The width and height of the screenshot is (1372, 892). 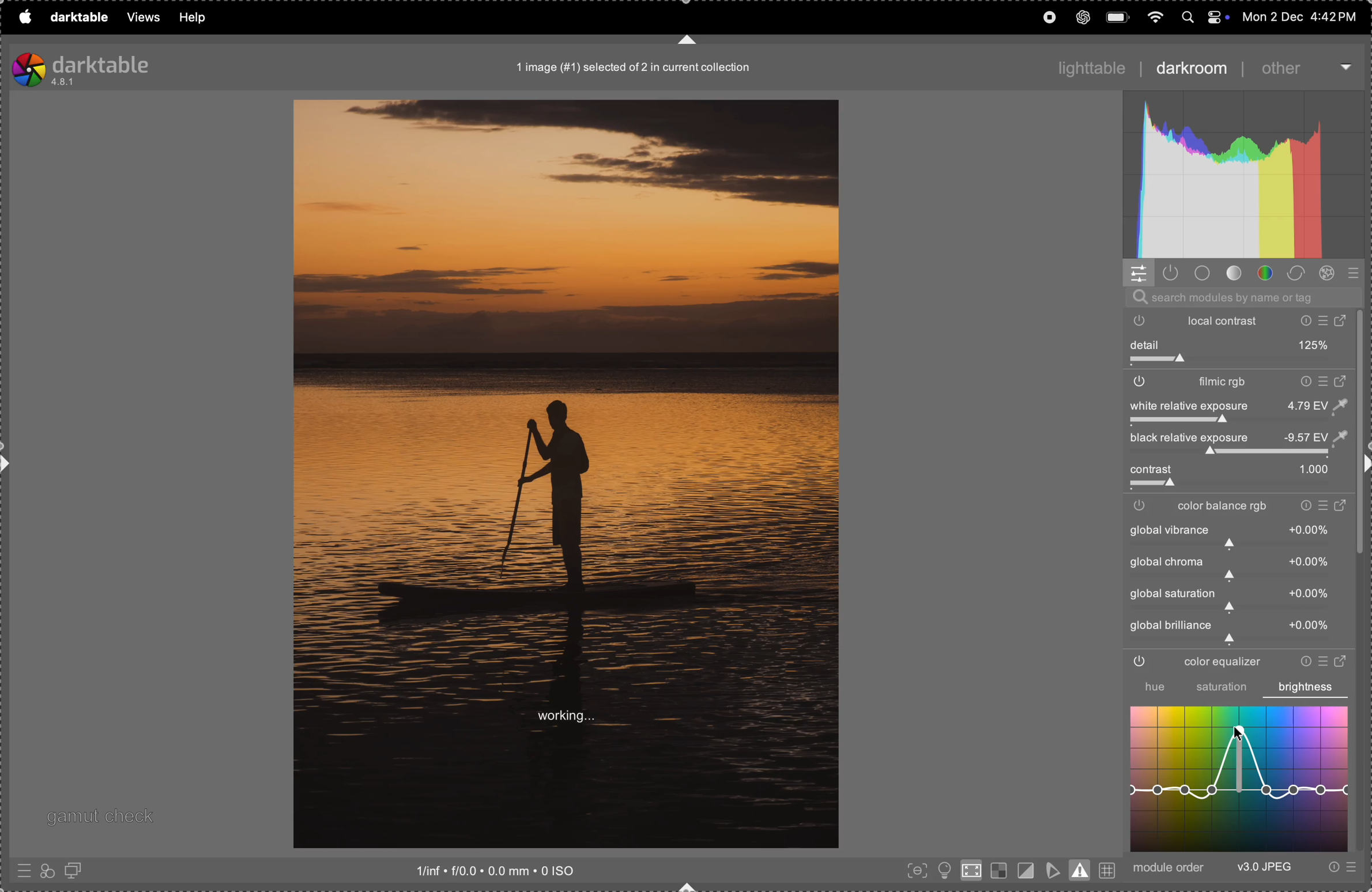 I want to click on local contrast, so click(x=1243, y=320).